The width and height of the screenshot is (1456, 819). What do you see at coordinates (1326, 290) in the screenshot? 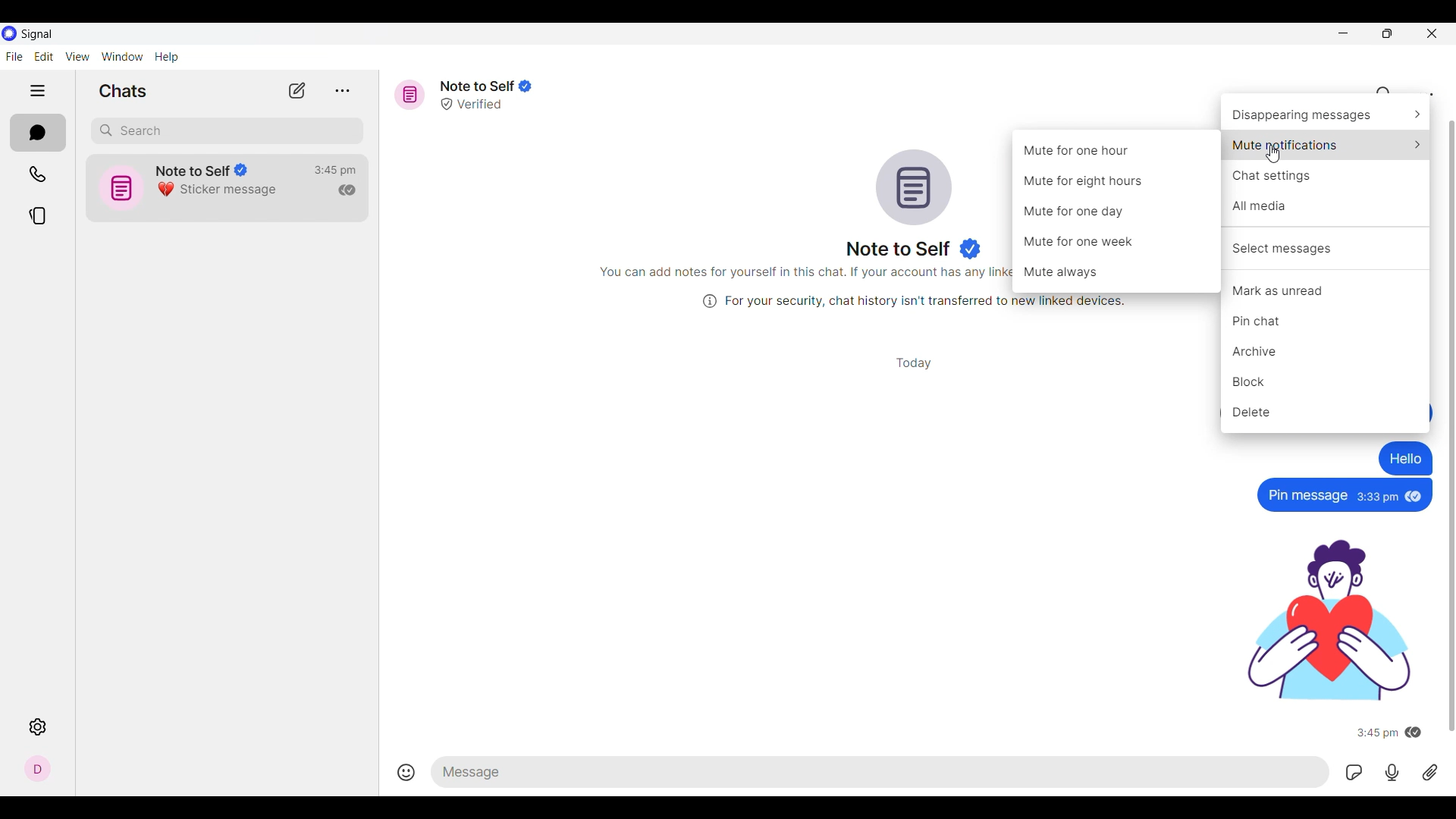
I see `Mark as uread` at bounding box center [1326, 290].